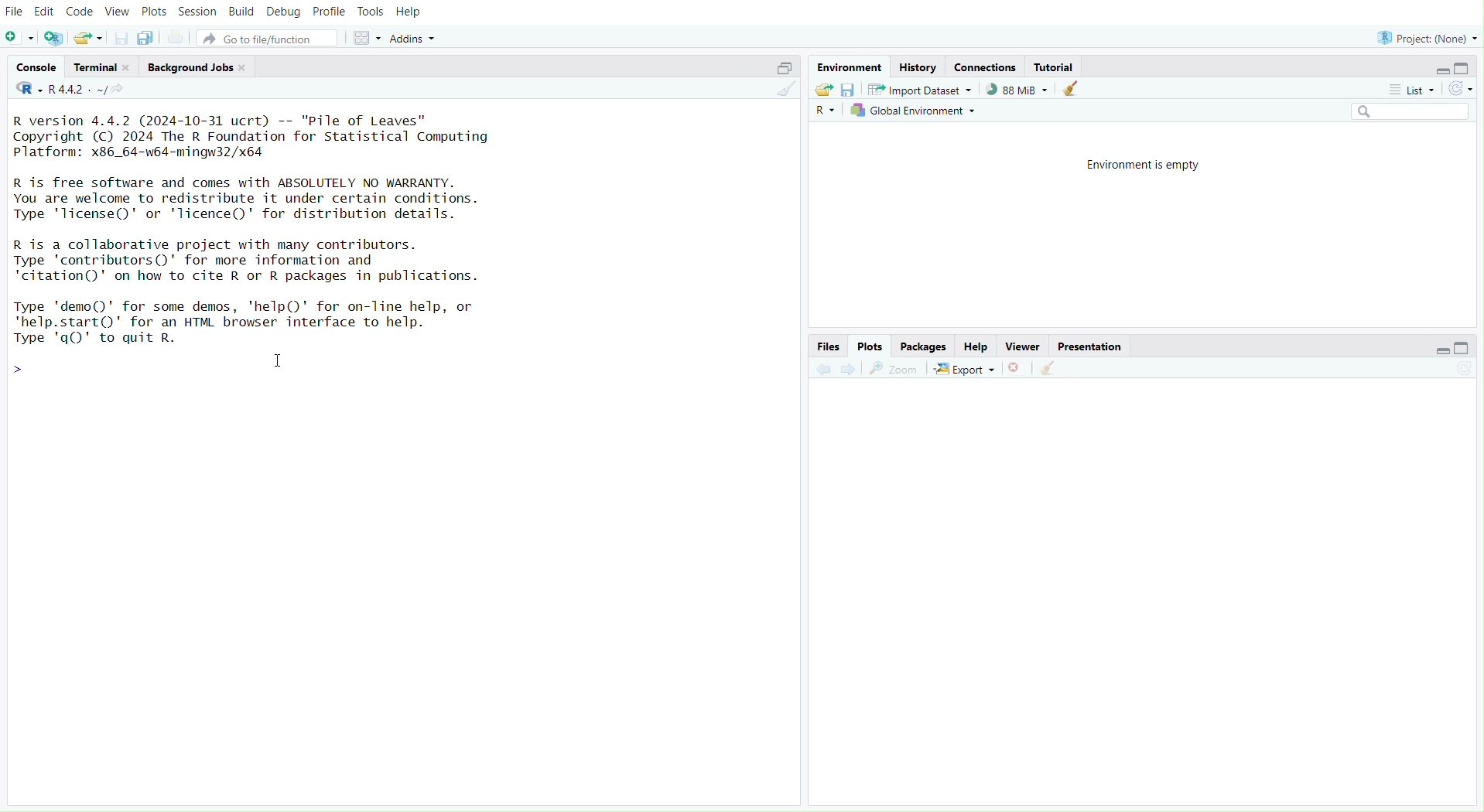 The image size is (1484, 812). I want to click on Maximize, so click(781, 70).